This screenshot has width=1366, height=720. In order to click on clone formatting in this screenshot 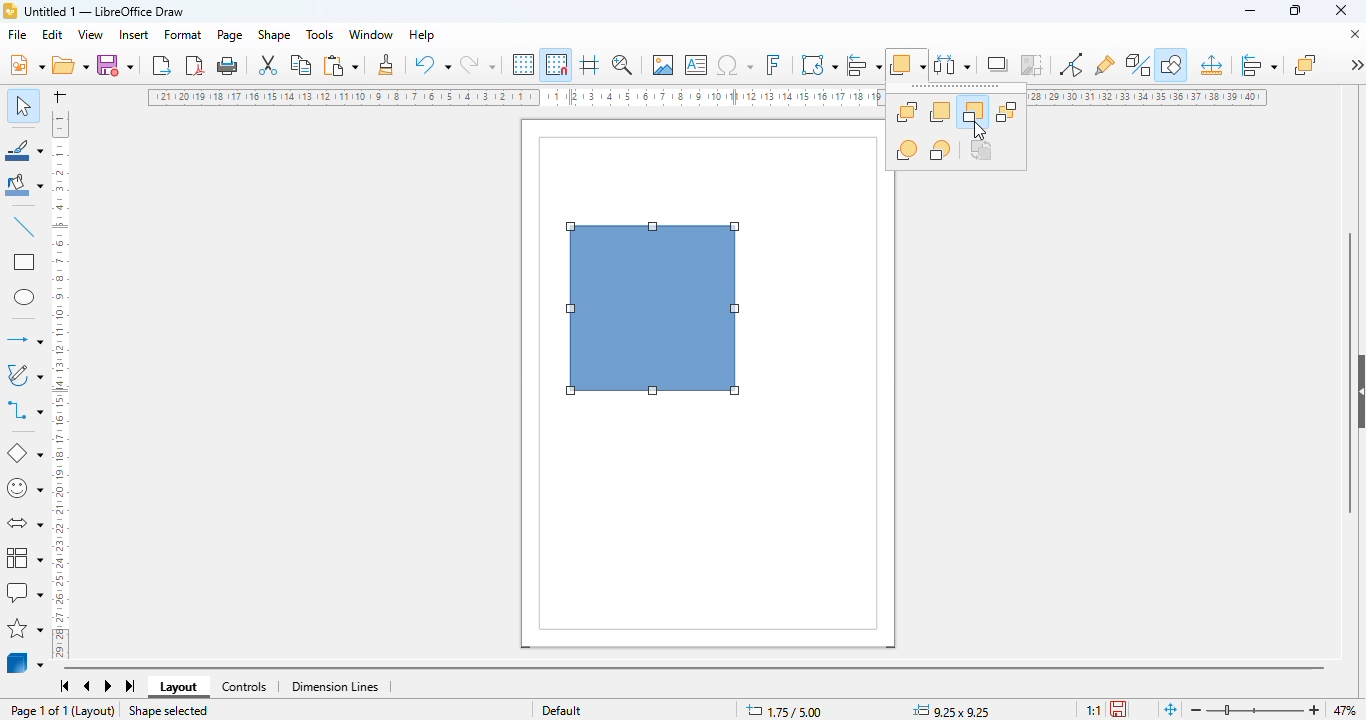, I will do `click(386, 64)`.